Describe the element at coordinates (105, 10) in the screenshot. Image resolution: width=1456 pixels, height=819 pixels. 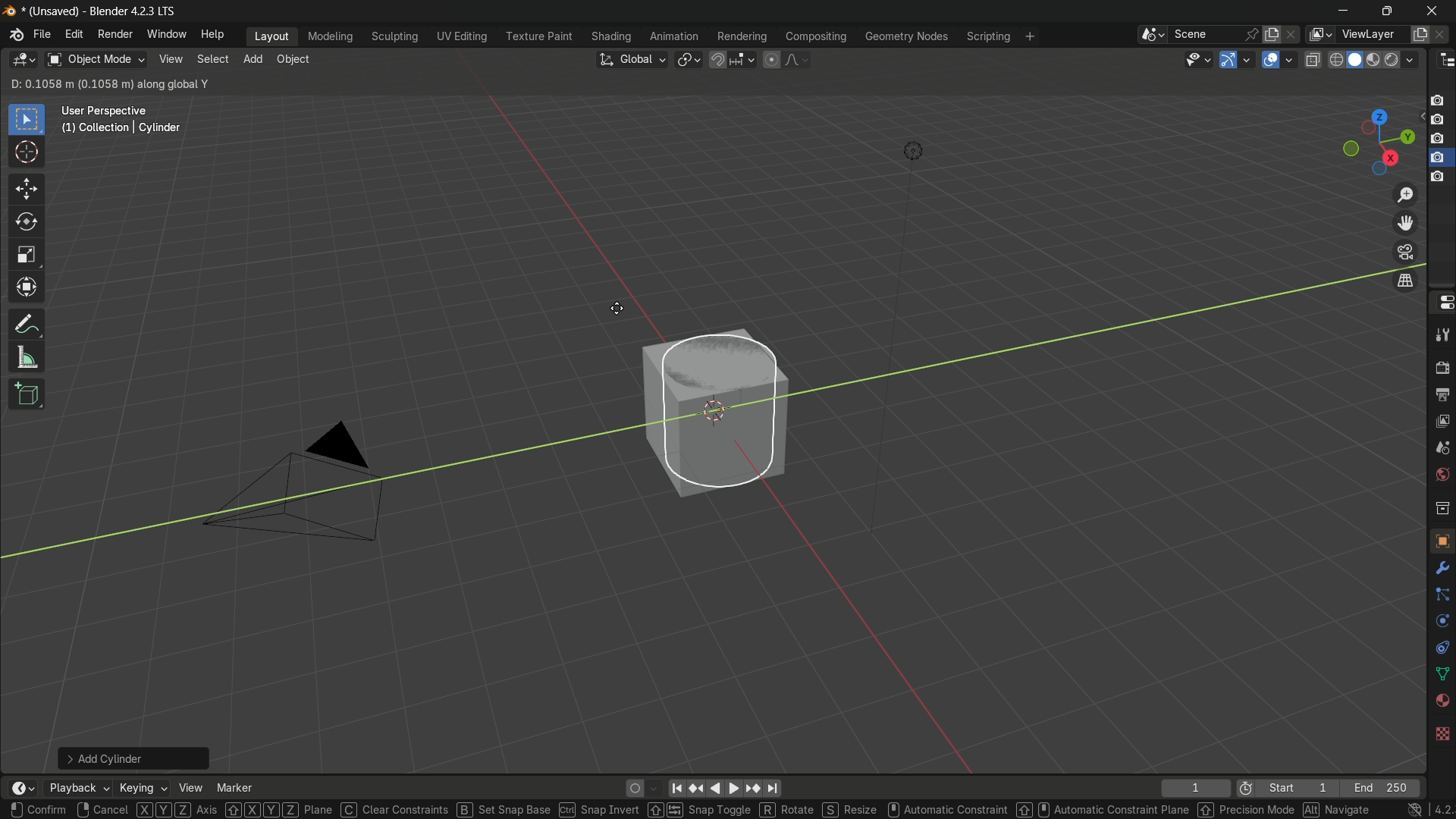
I see `unsaved blender 4.2.3 lts` at that location.